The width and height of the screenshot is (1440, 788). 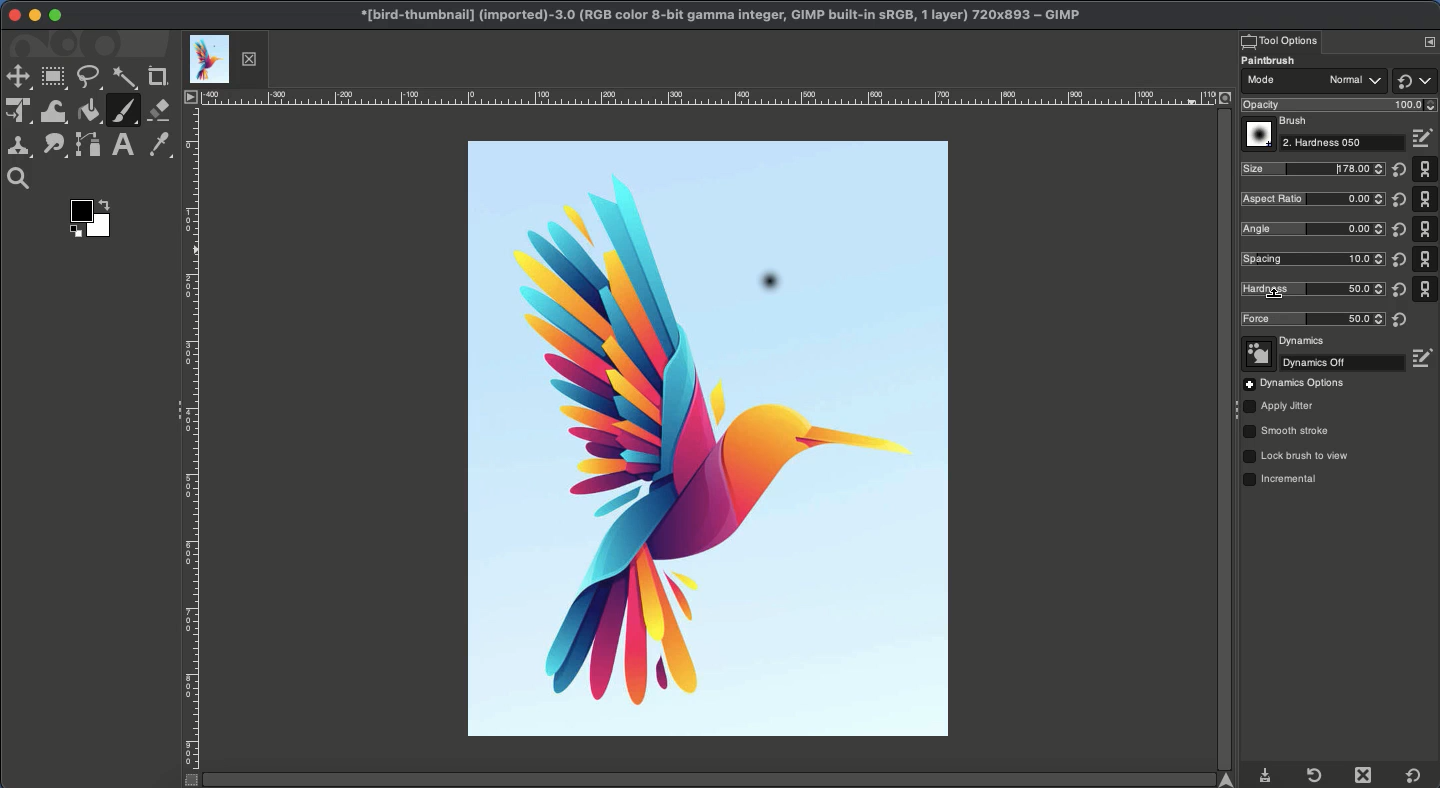 I want to click on Tool options, so click(x=1279, y=40).